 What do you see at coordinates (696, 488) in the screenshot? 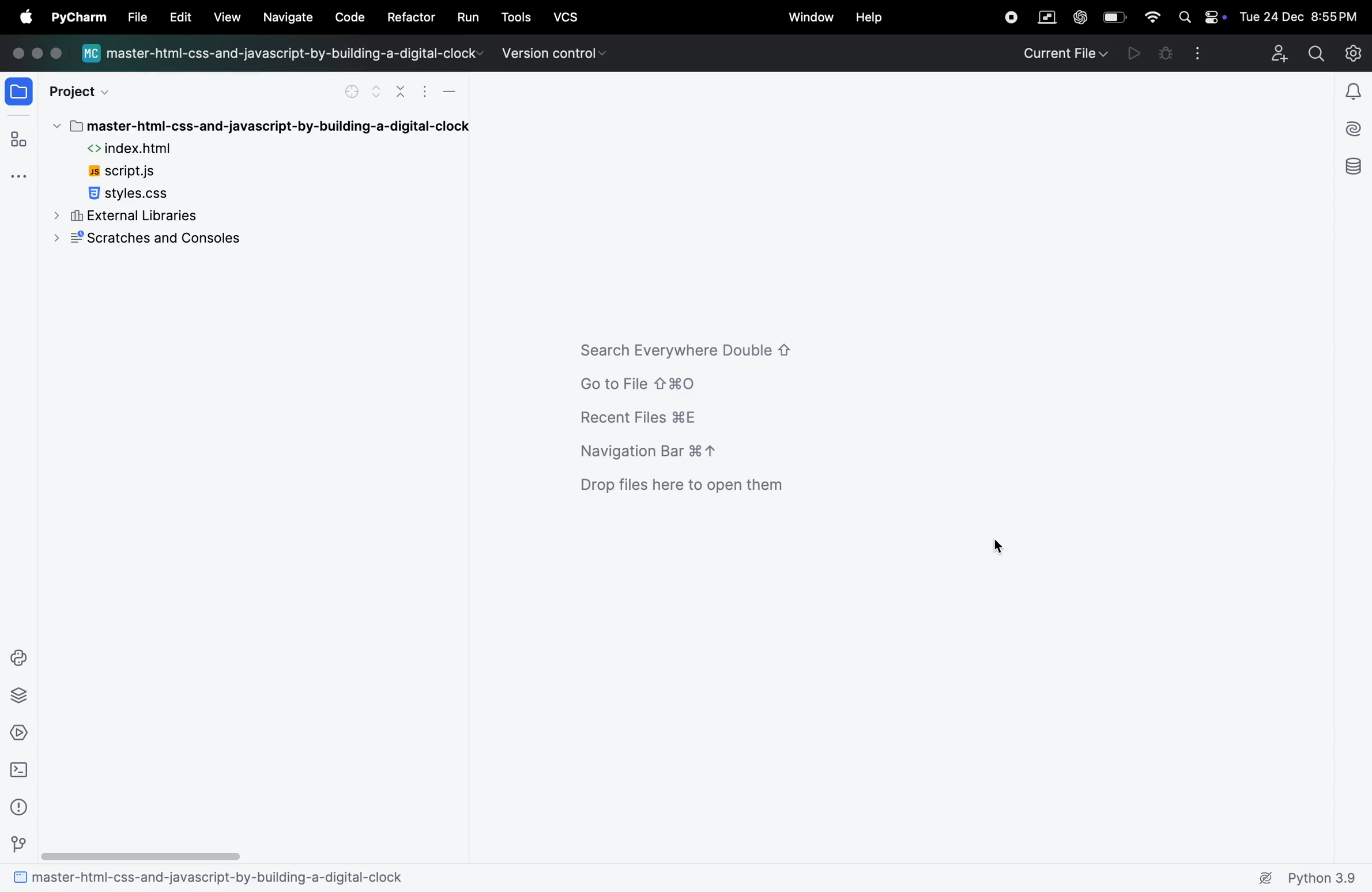
I see `drop files here to open them` at bounding box center [696, 488].